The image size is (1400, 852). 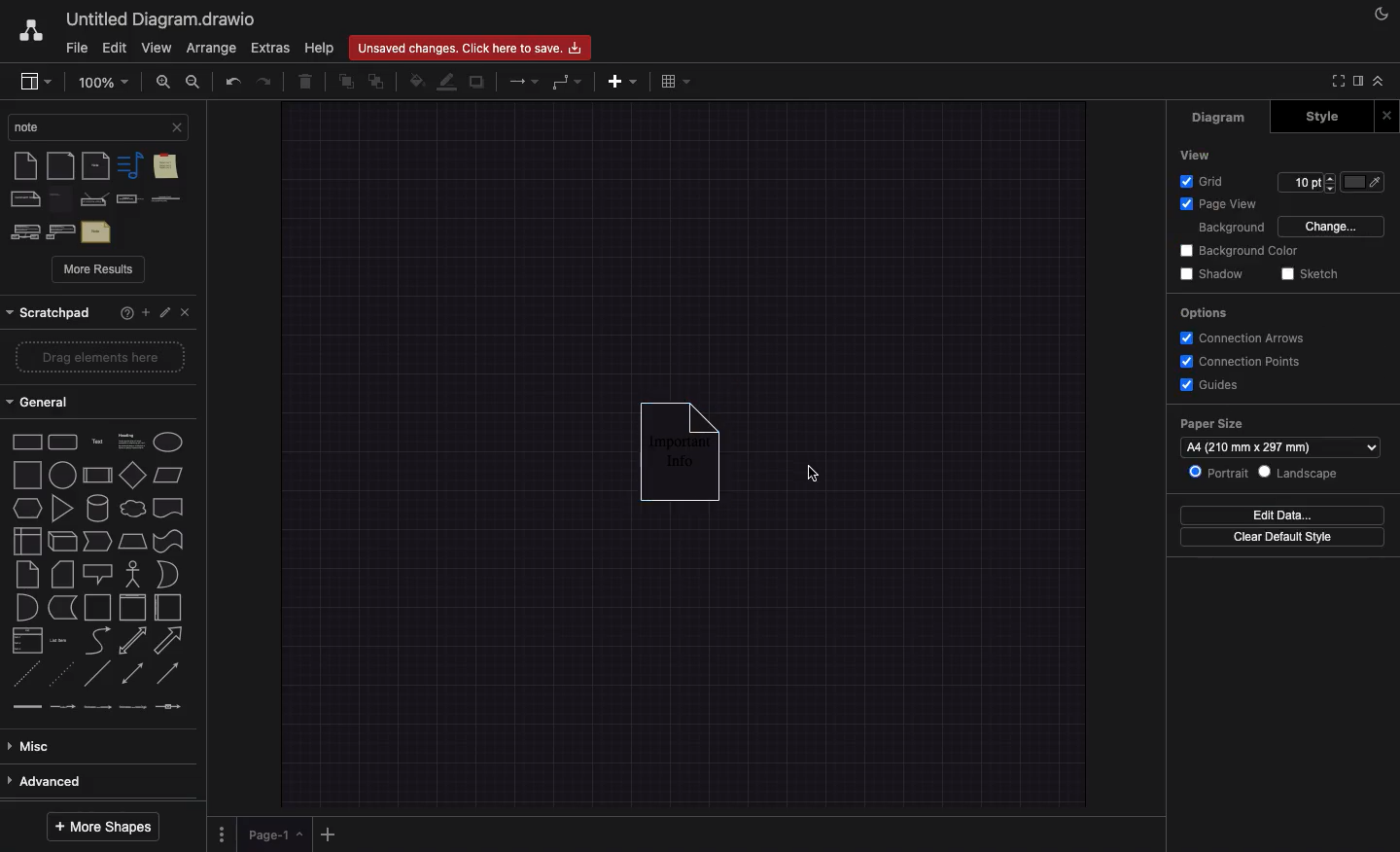 What do you see at coordinates (1211, 180) in the screenshot?
I see `Grid` at bounding box center [1211, 180].